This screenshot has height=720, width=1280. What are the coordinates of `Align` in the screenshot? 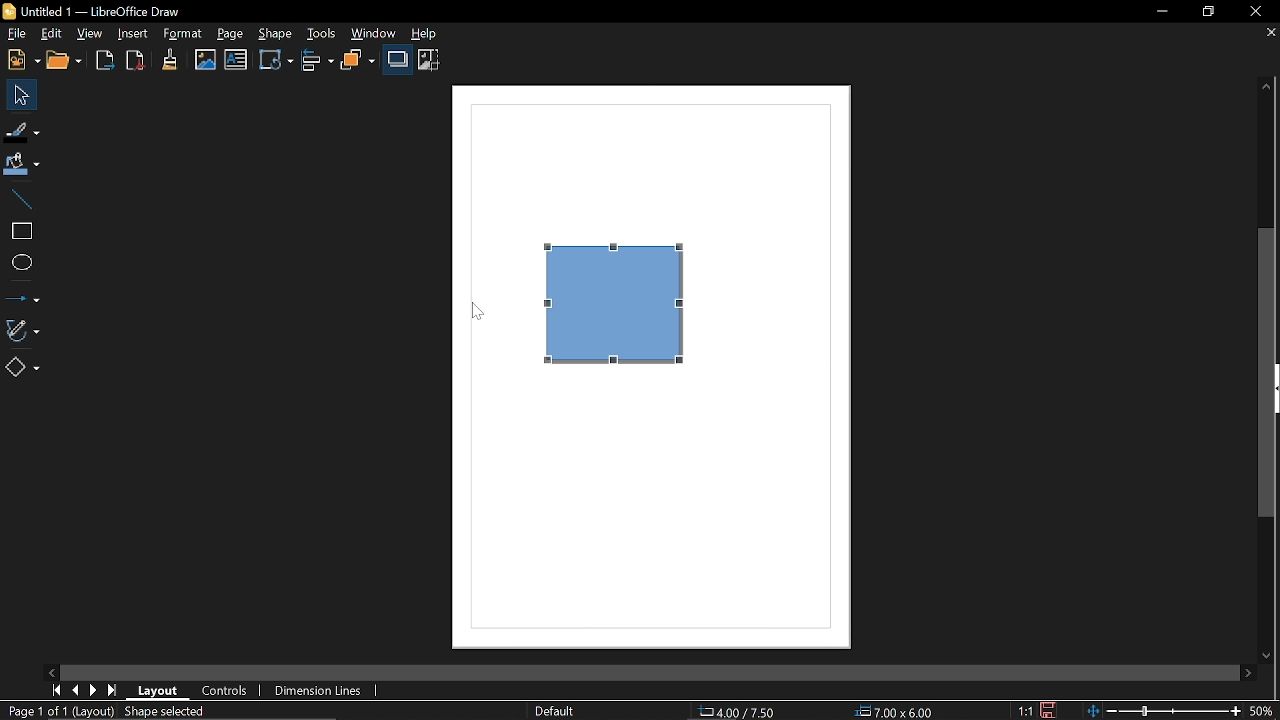 It's located at (315, 61).